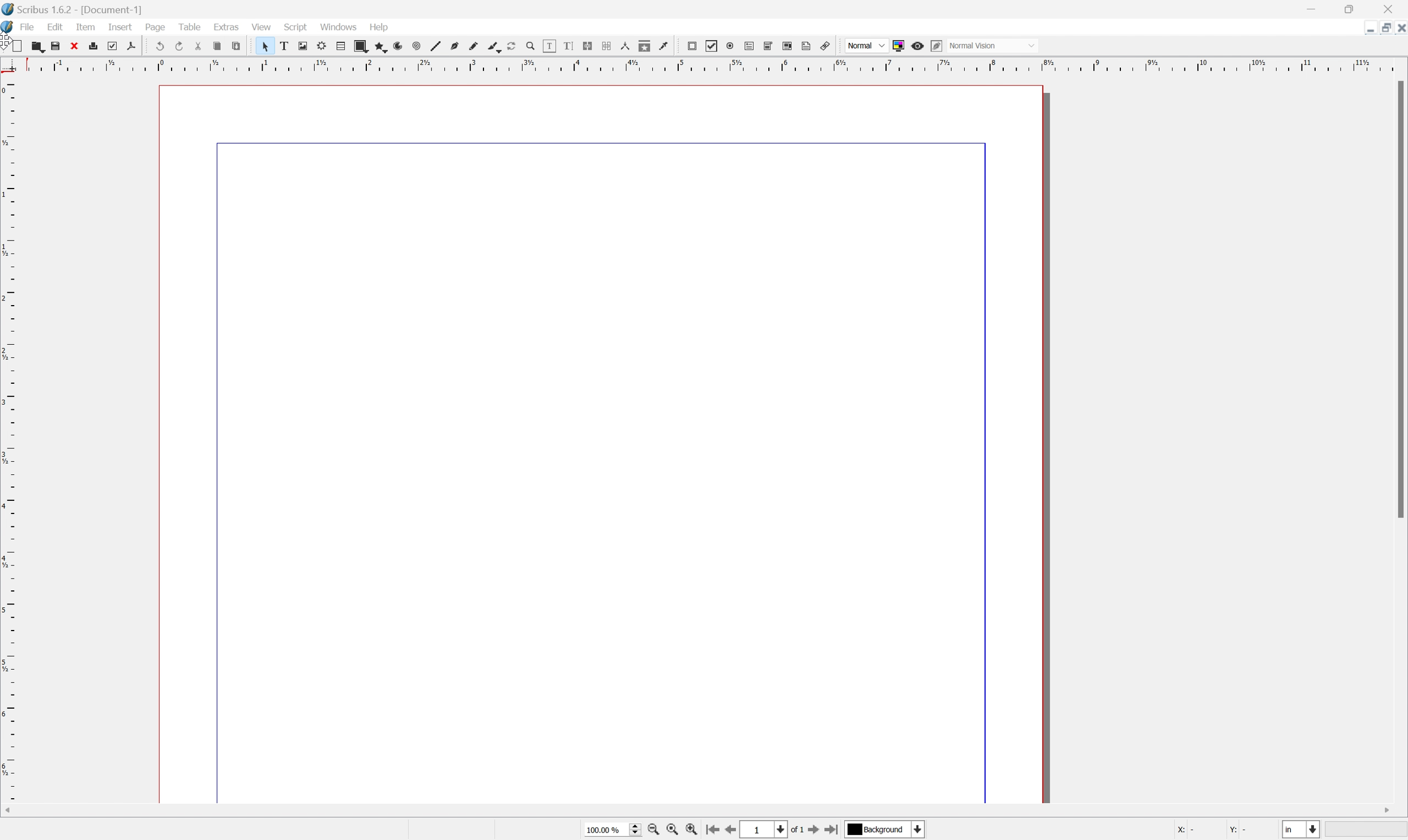  Describe the element at coordinates (113, 46) in the screenshot. I see `preflight verifier` at that location.